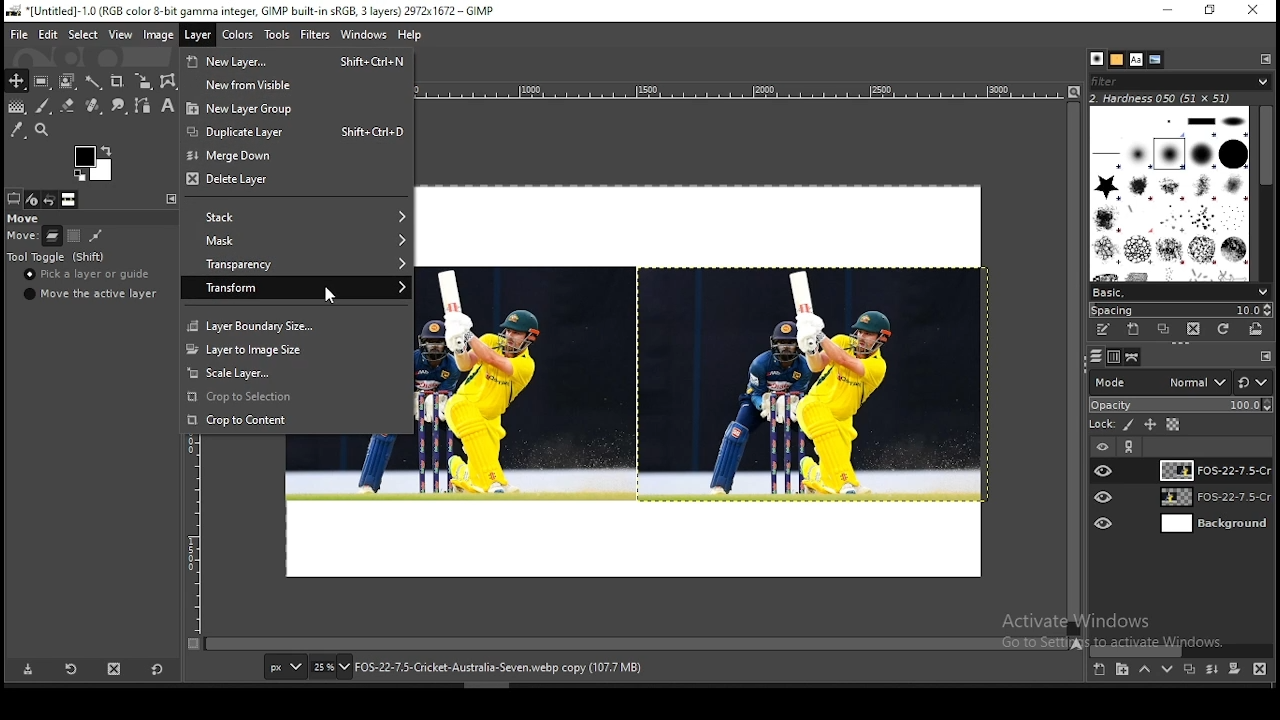  Describe the element at coordinates (169, 198) in the screenshot. I see `tool` at that location.